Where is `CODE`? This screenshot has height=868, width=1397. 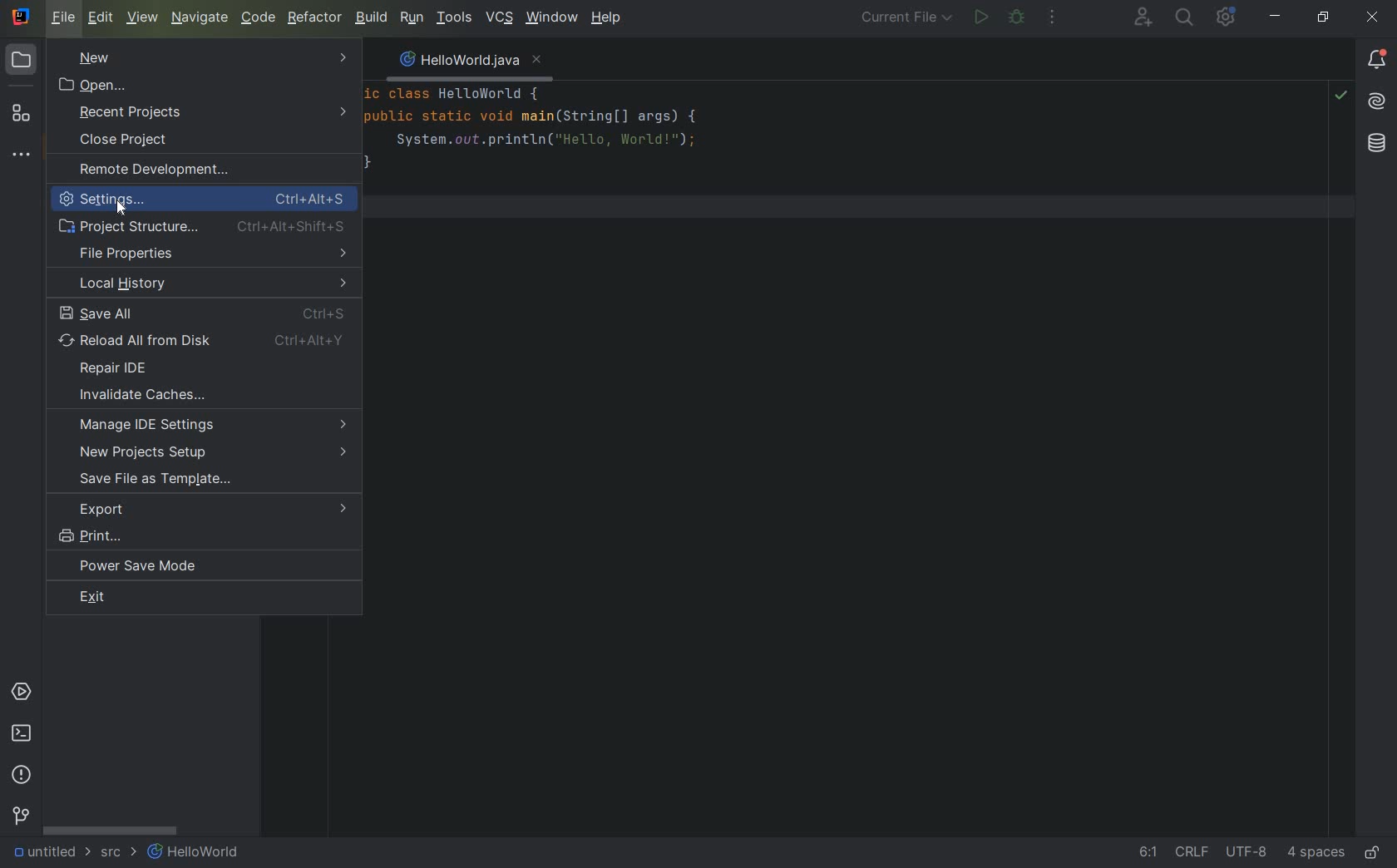
CODE is located at coordinates (258, 17).